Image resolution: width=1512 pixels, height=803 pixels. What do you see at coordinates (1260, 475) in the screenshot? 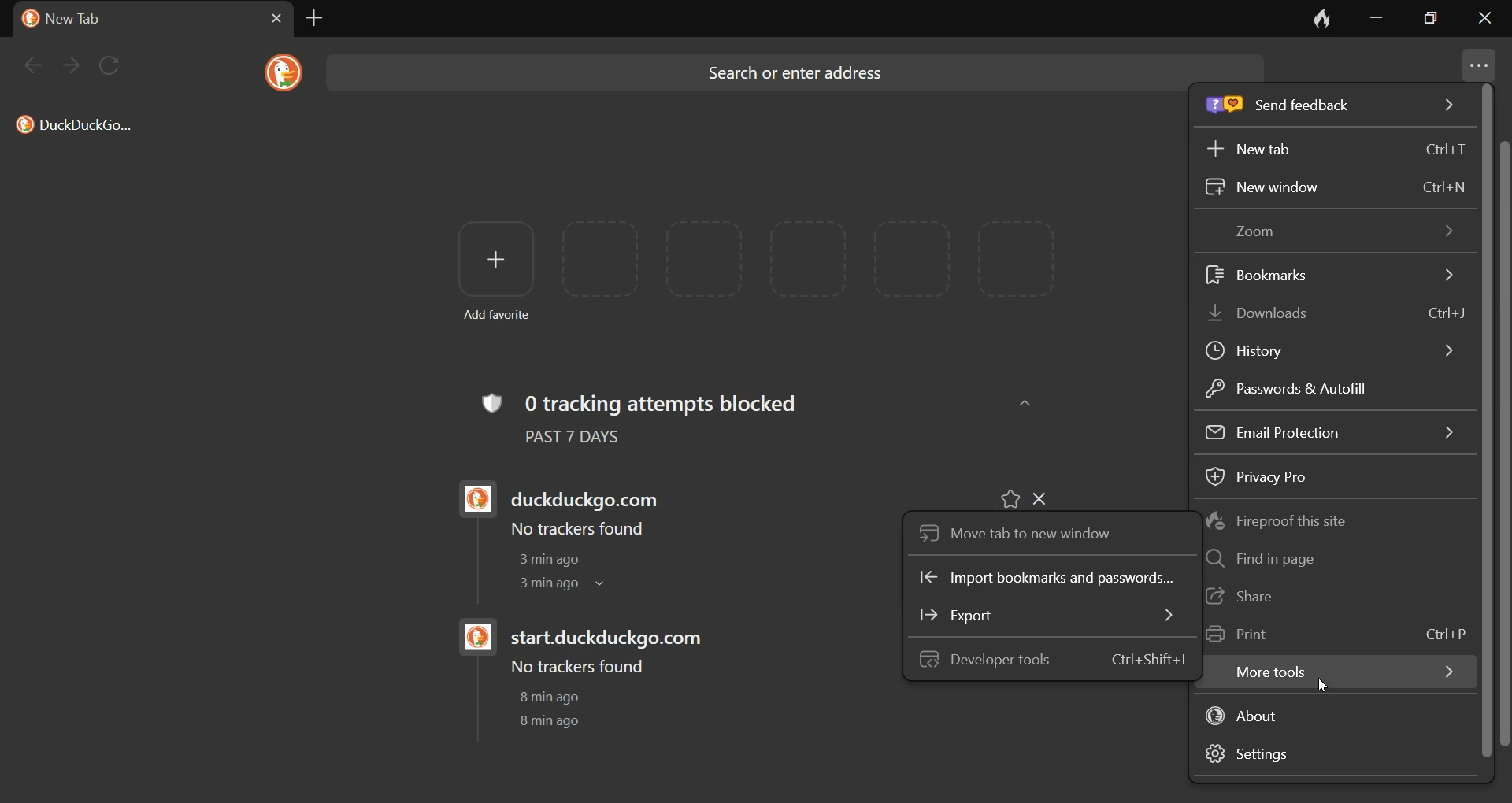
I see `Privacy Pro` at bounding box center [1260, 475].